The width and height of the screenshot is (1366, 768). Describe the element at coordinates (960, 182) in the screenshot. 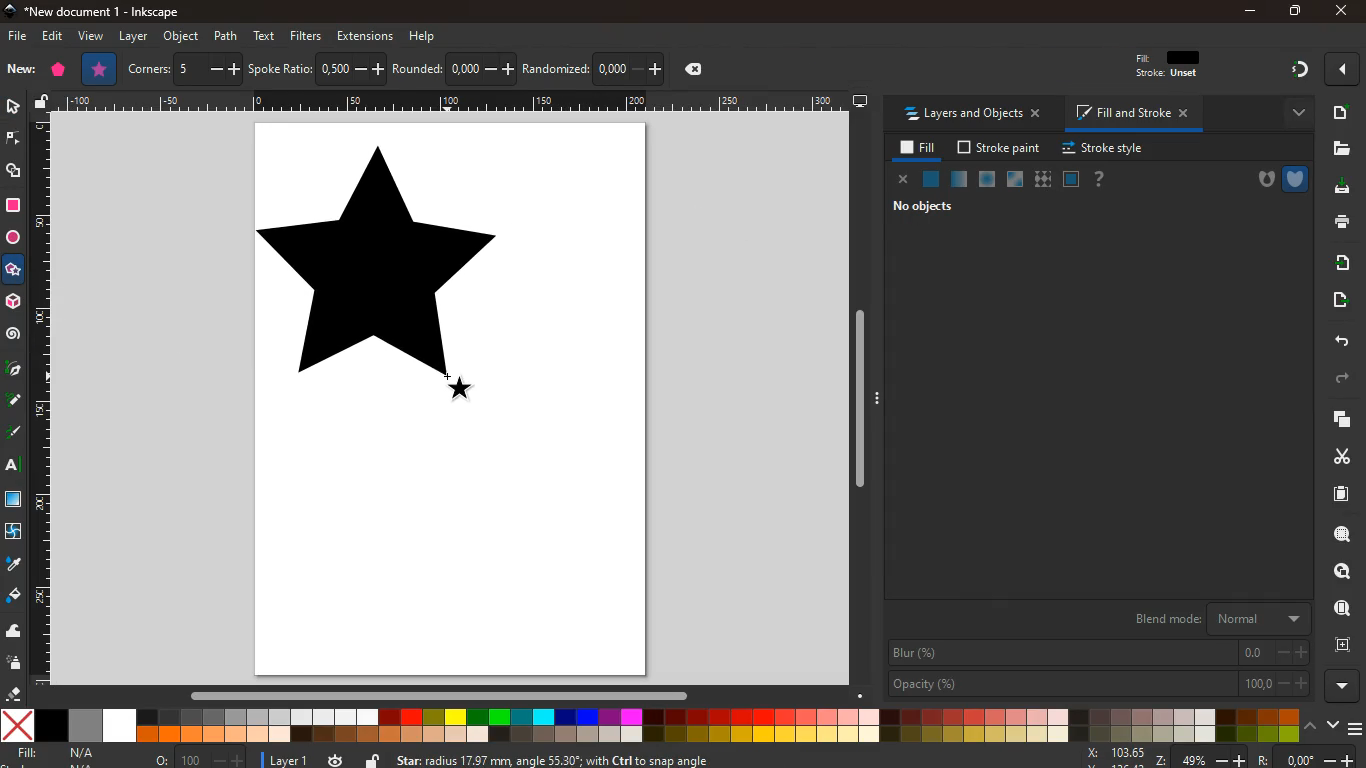

I see `opacity` at that location.